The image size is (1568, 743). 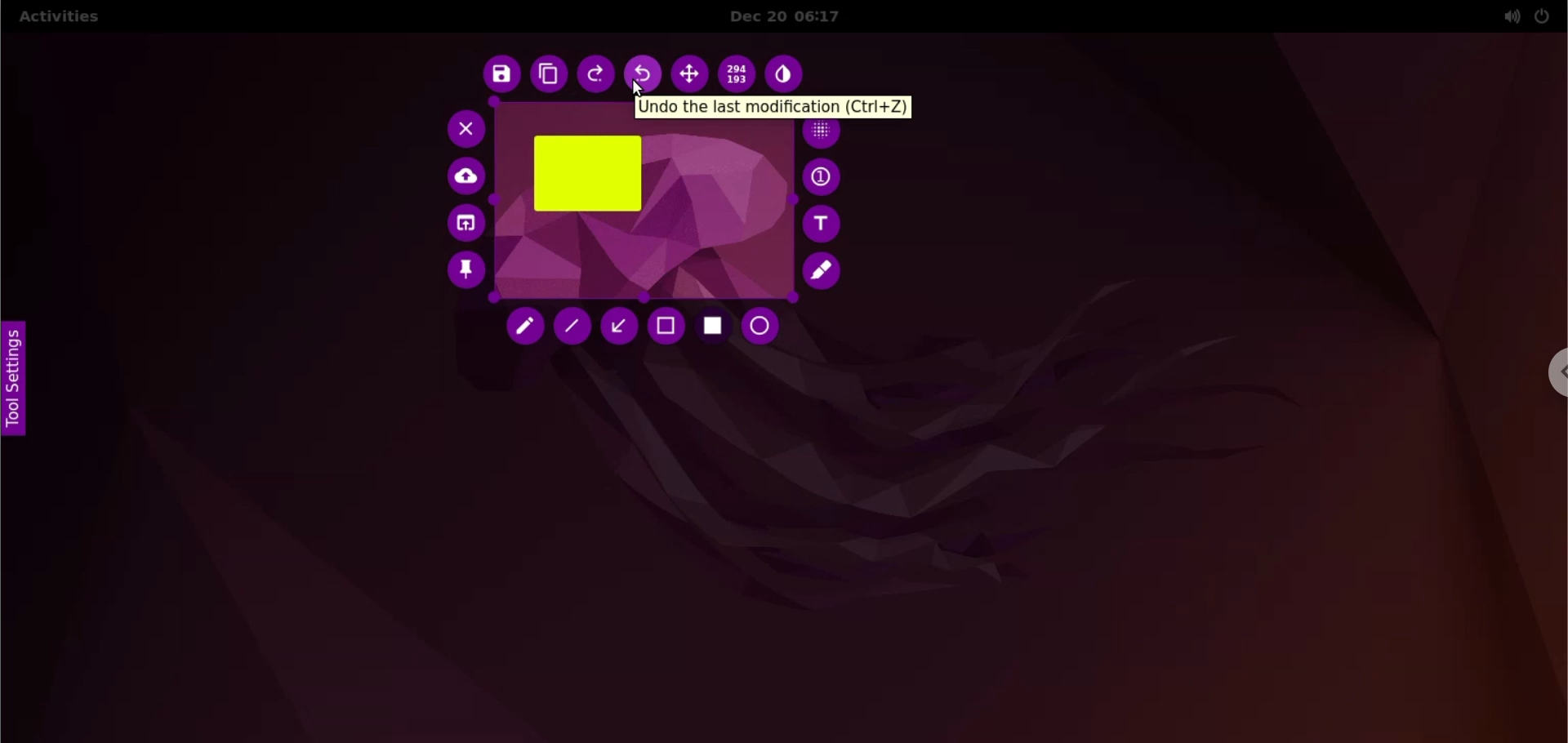 I want to click on move selection, so click(x=689, y=74).